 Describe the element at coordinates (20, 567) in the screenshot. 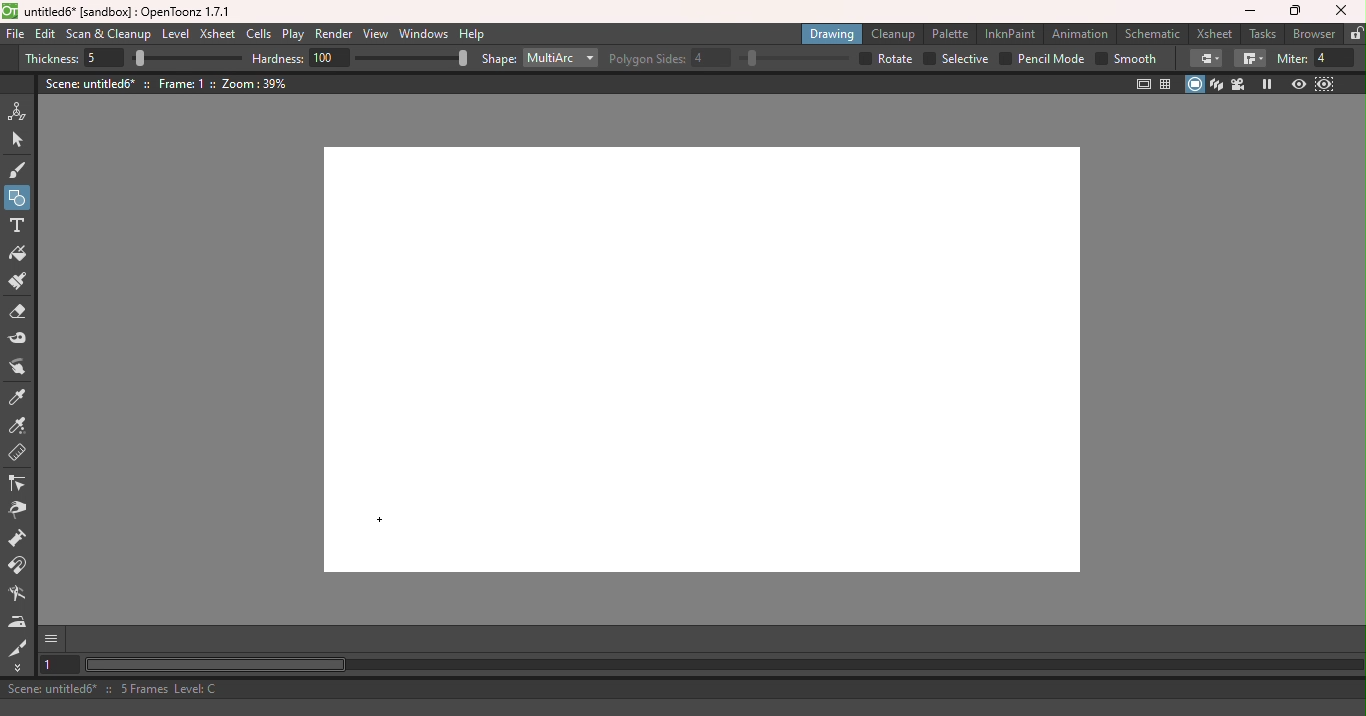

I see `Magnet tool` at that location.